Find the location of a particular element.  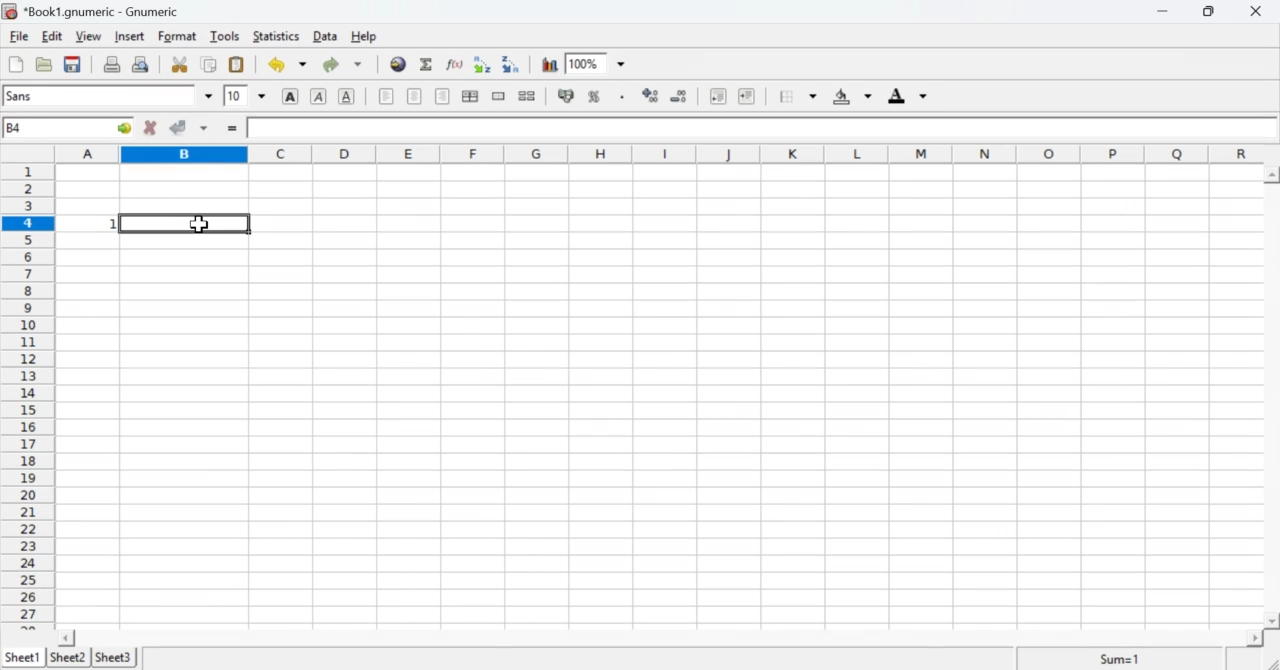

Format the selection as percentage. is located at coordinates (597, 97).